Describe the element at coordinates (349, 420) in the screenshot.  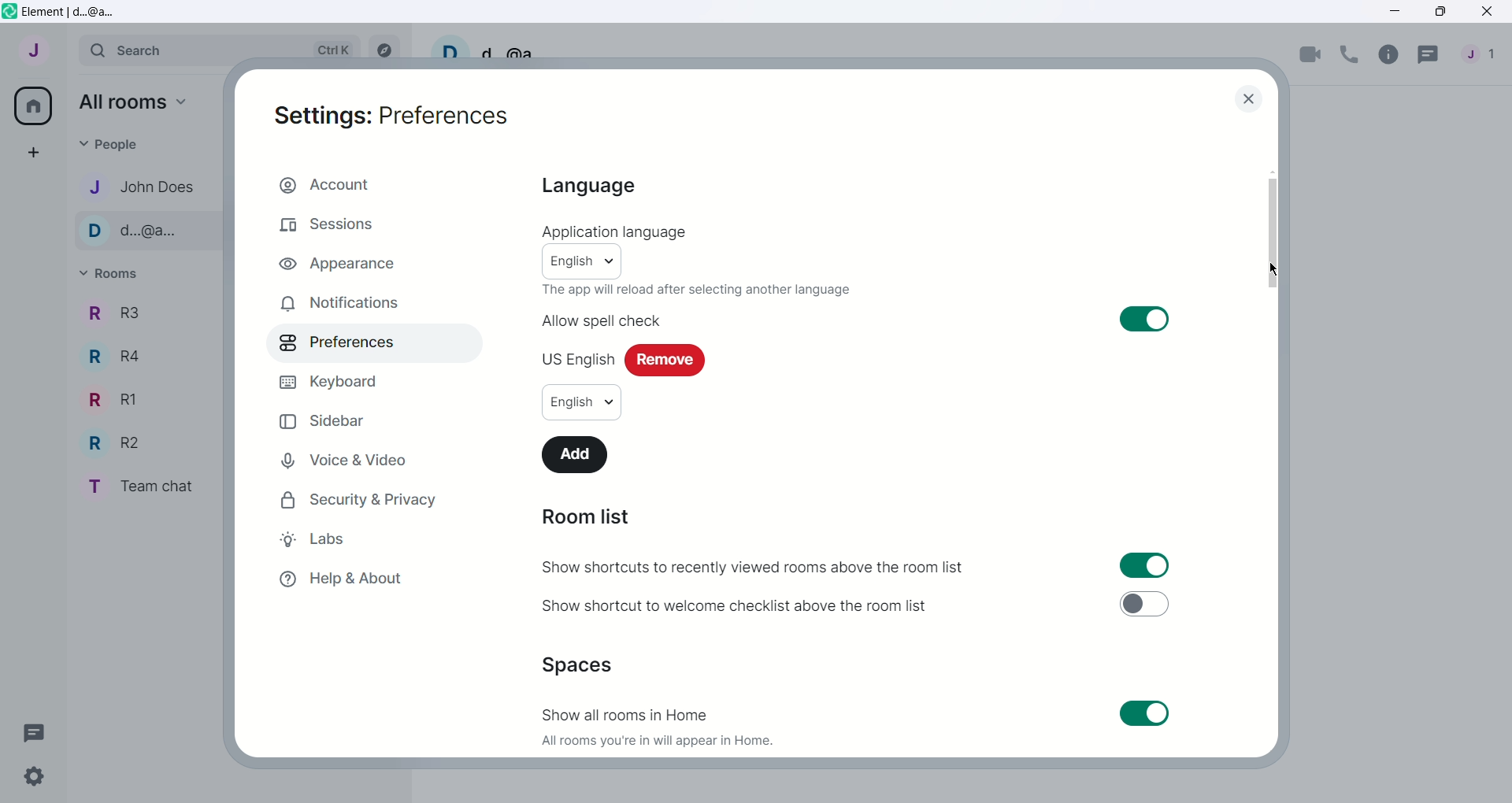
I see `Sidebar` at that location.